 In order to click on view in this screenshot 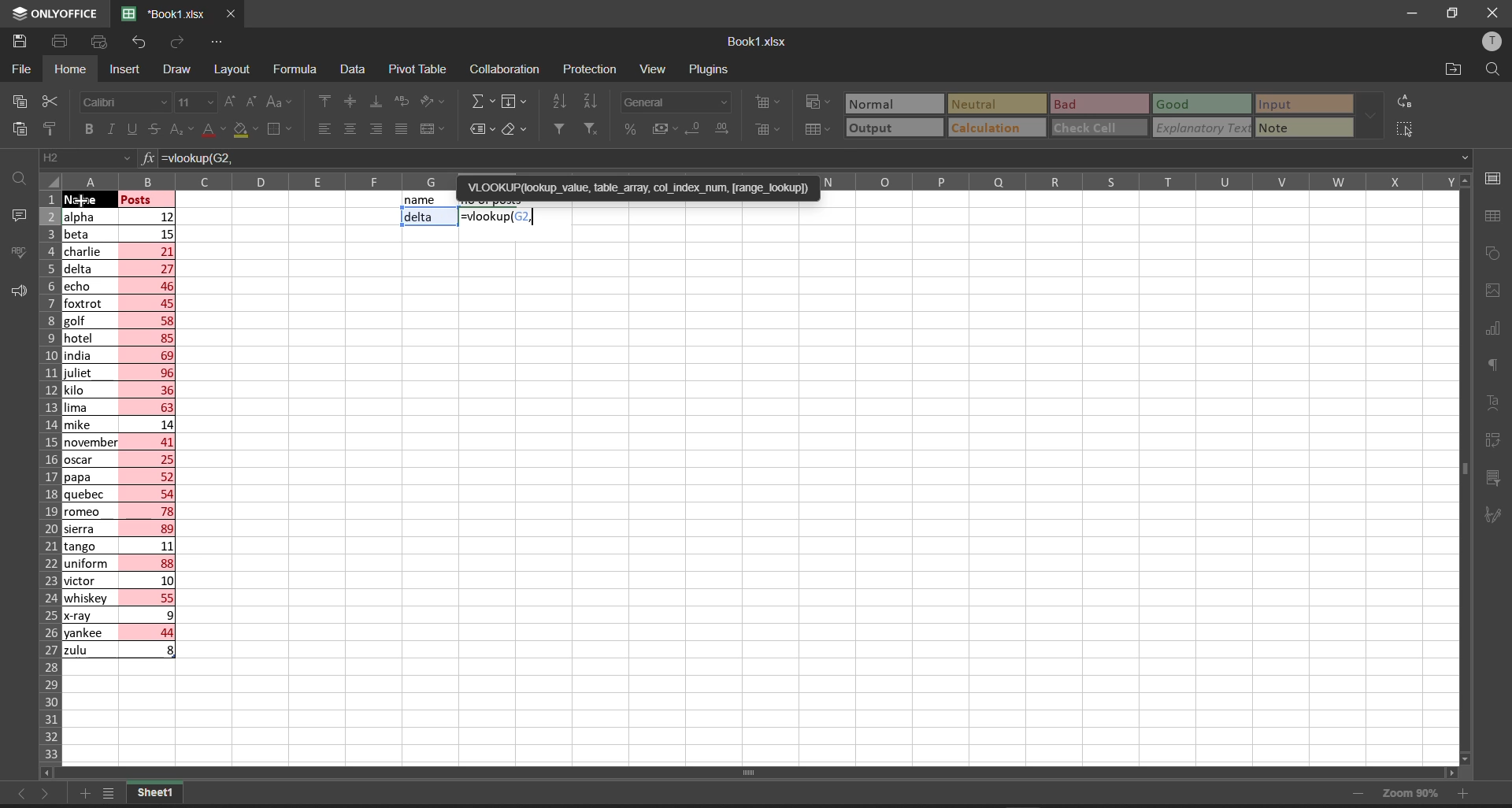, I will do `click(653, 70)`.